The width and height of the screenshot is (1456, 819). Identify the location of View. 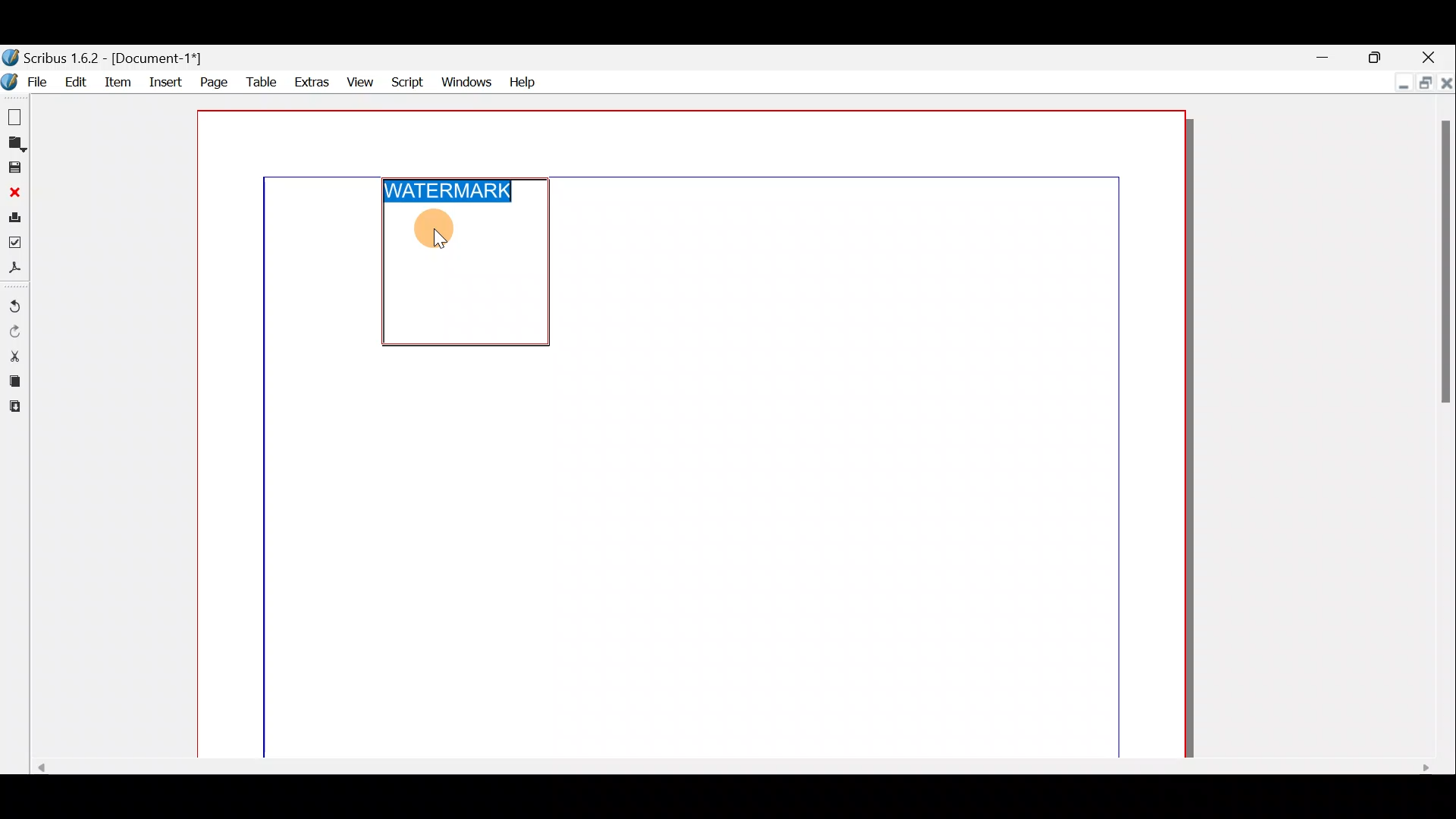
(360, 81).